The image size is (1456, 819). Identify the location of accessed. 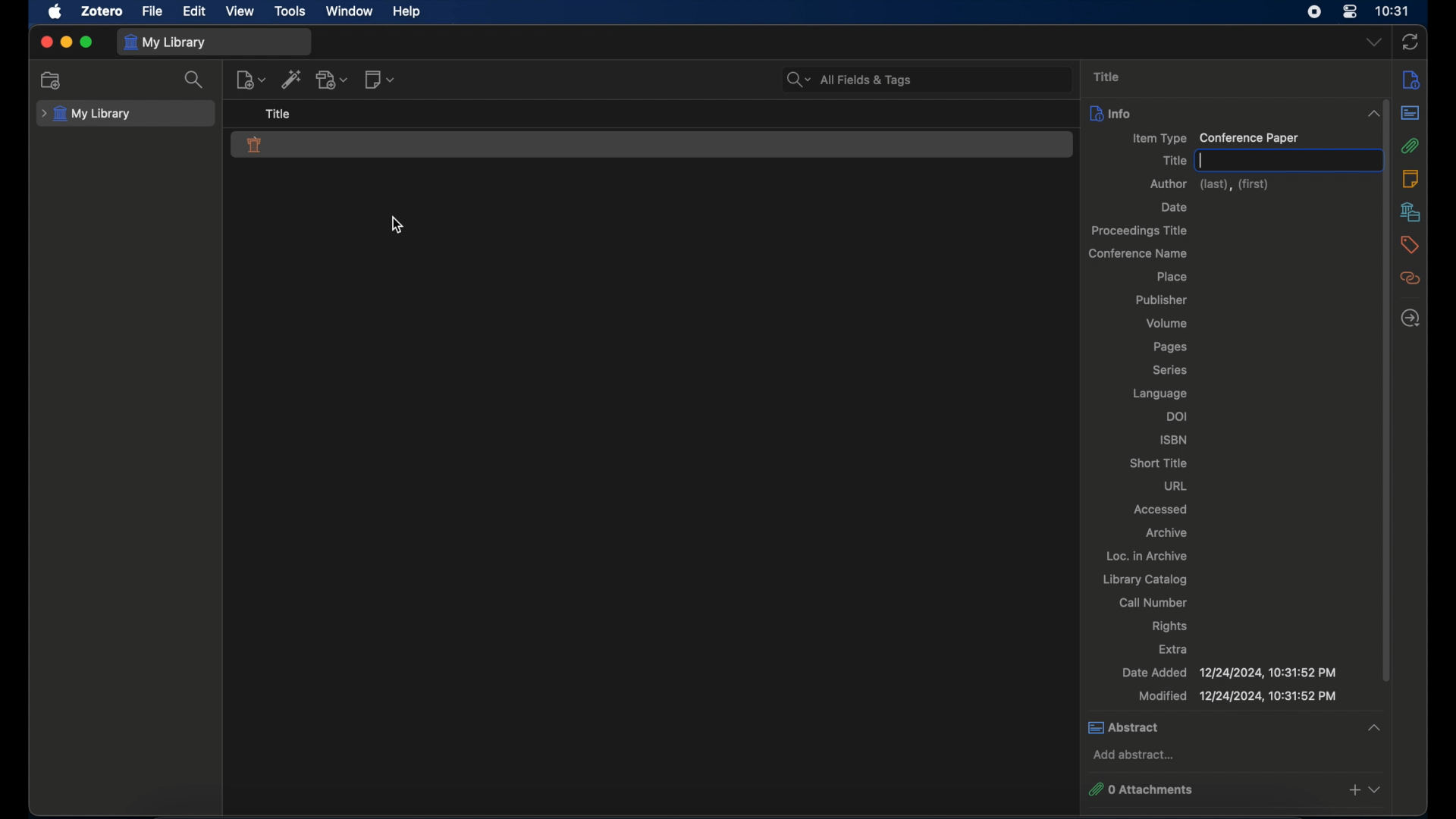
(1160, 509).